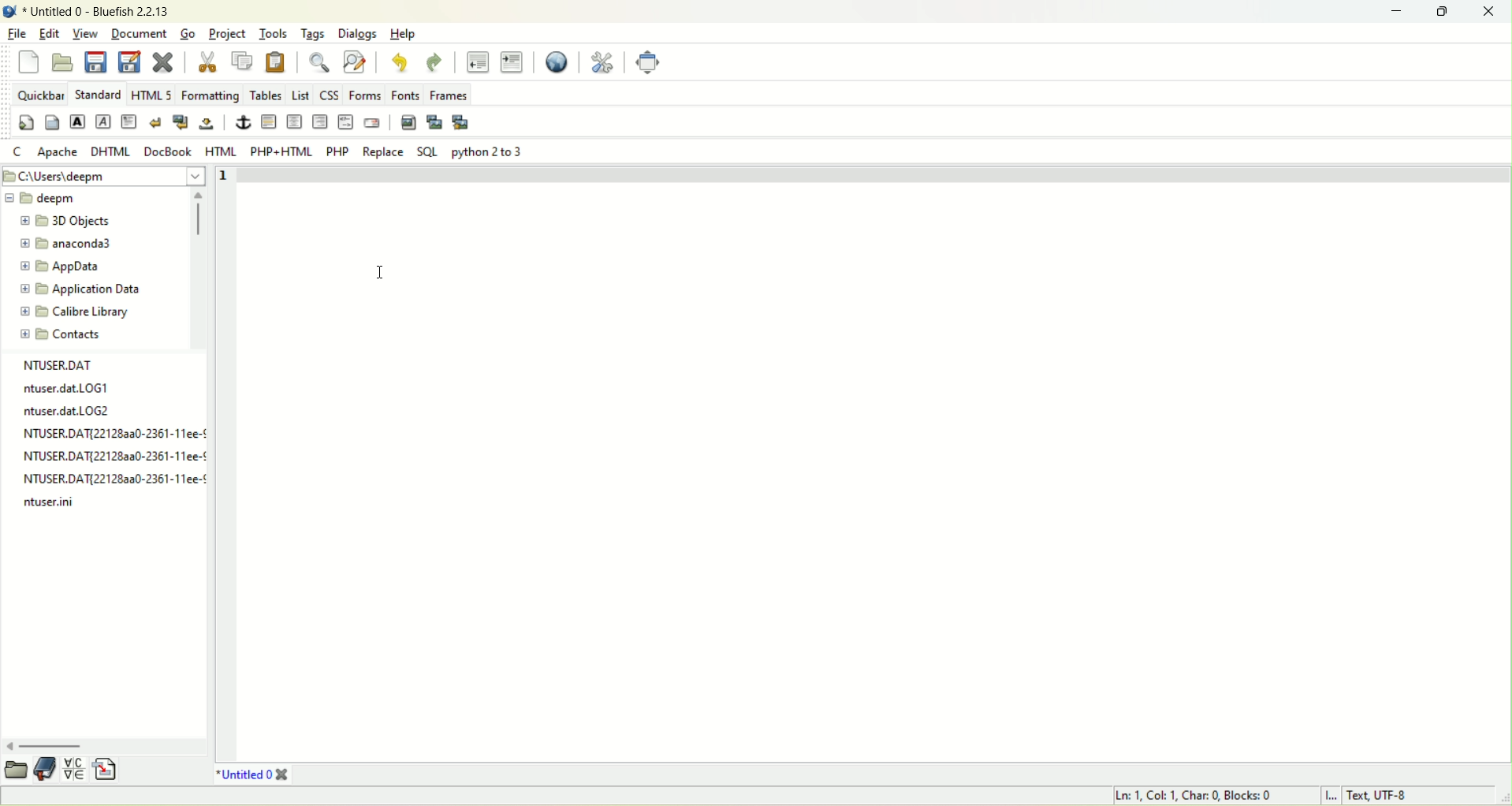  Describe the element at coordinates (397, 63) in the screenshot. I see `undo` at that location.